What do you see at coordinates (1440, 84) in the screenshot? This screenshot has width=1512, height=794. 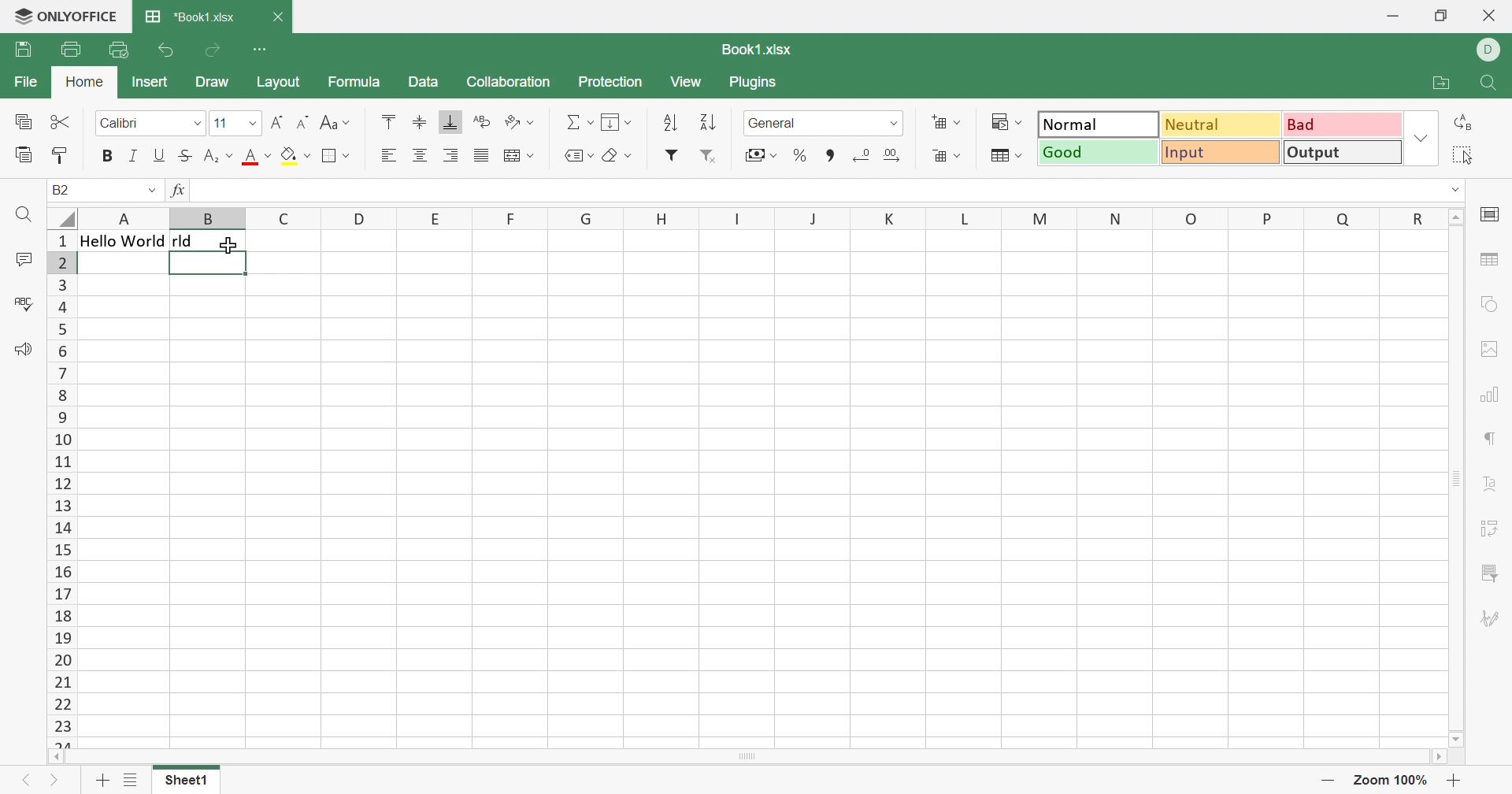 I see `Open file location` at bounding box center [1440, 84].